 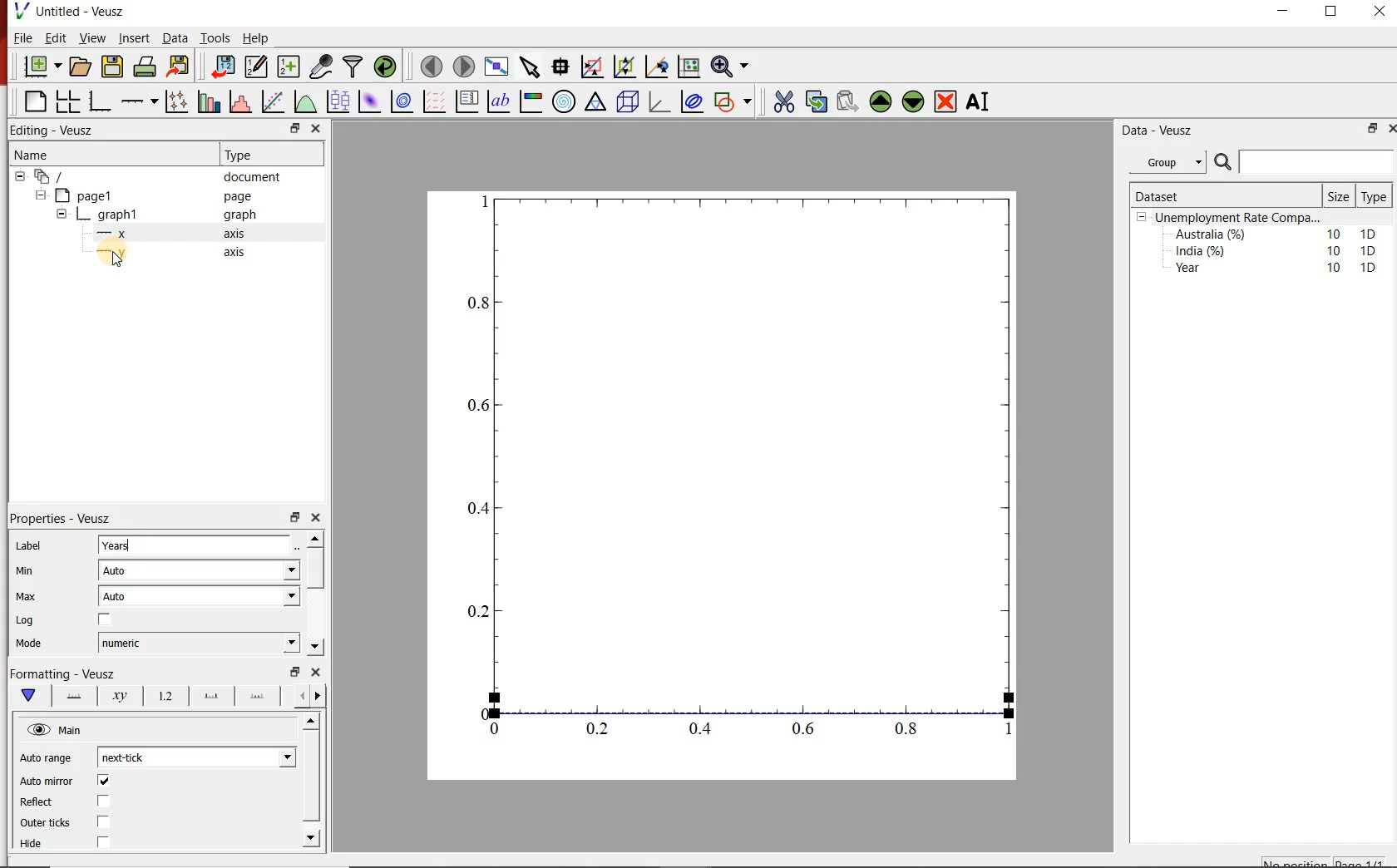 I want to click on create new datasets, so click(x=288, y=67).